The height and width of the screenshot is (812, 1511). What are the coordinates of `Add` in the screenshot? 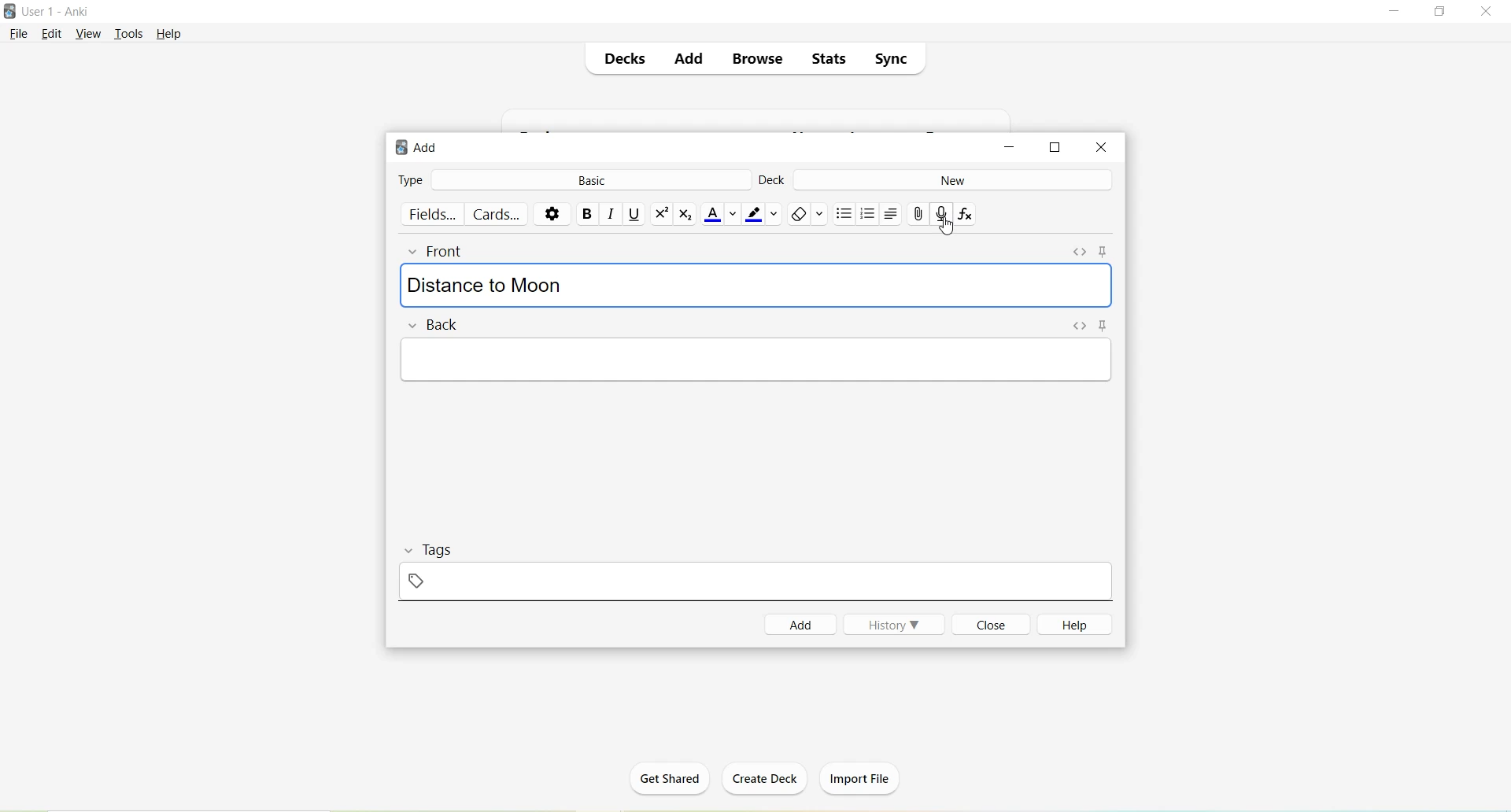 It's located at (422, 149).